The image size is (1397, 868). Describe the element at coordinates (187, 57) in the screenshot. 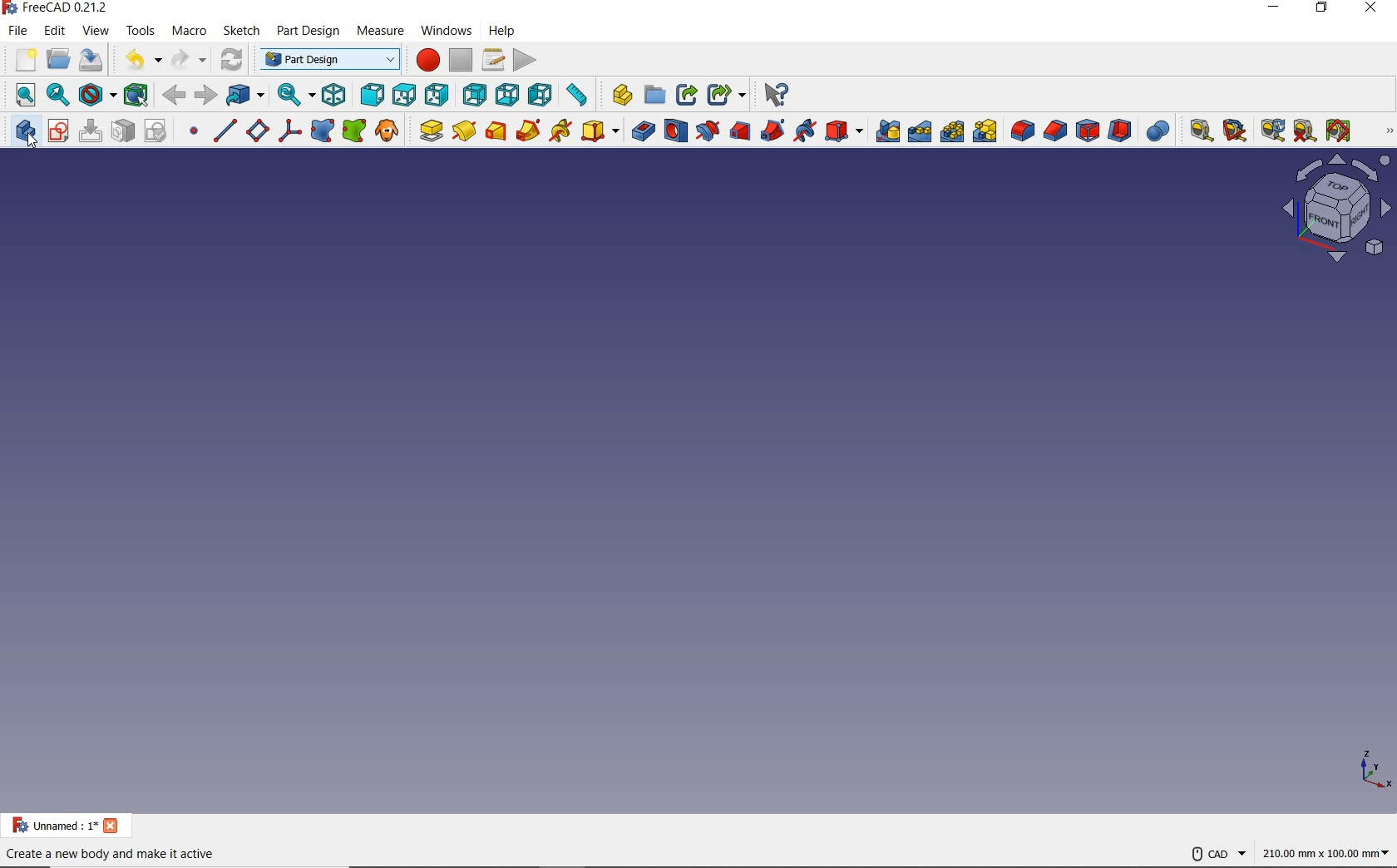

I see `redo` at that location.